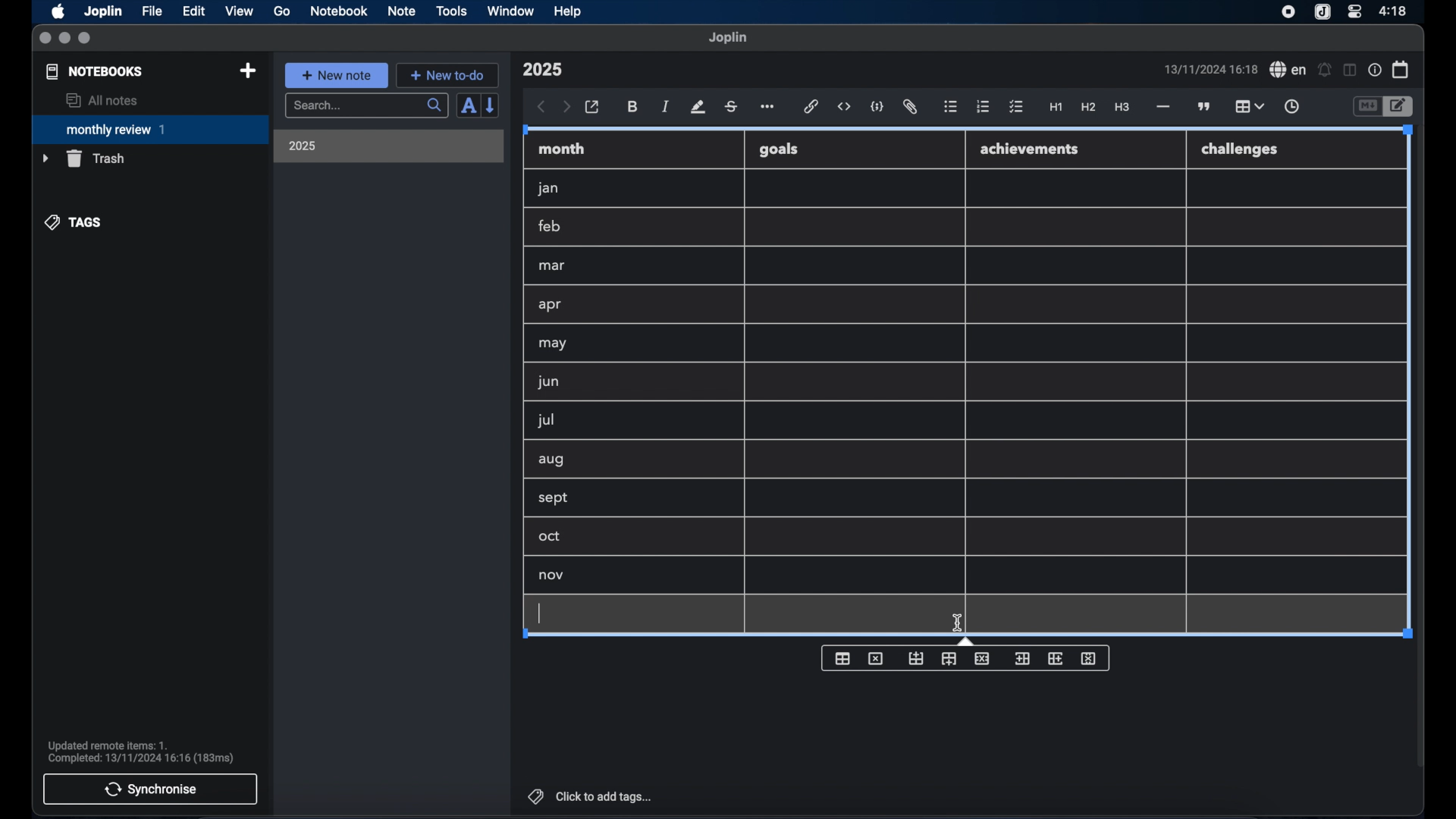 This screenshot has height=819, width=1456. What do you see at coordinates (339, 11) in the screenshot?
I see `notebook` at bounding box center [339, 11].